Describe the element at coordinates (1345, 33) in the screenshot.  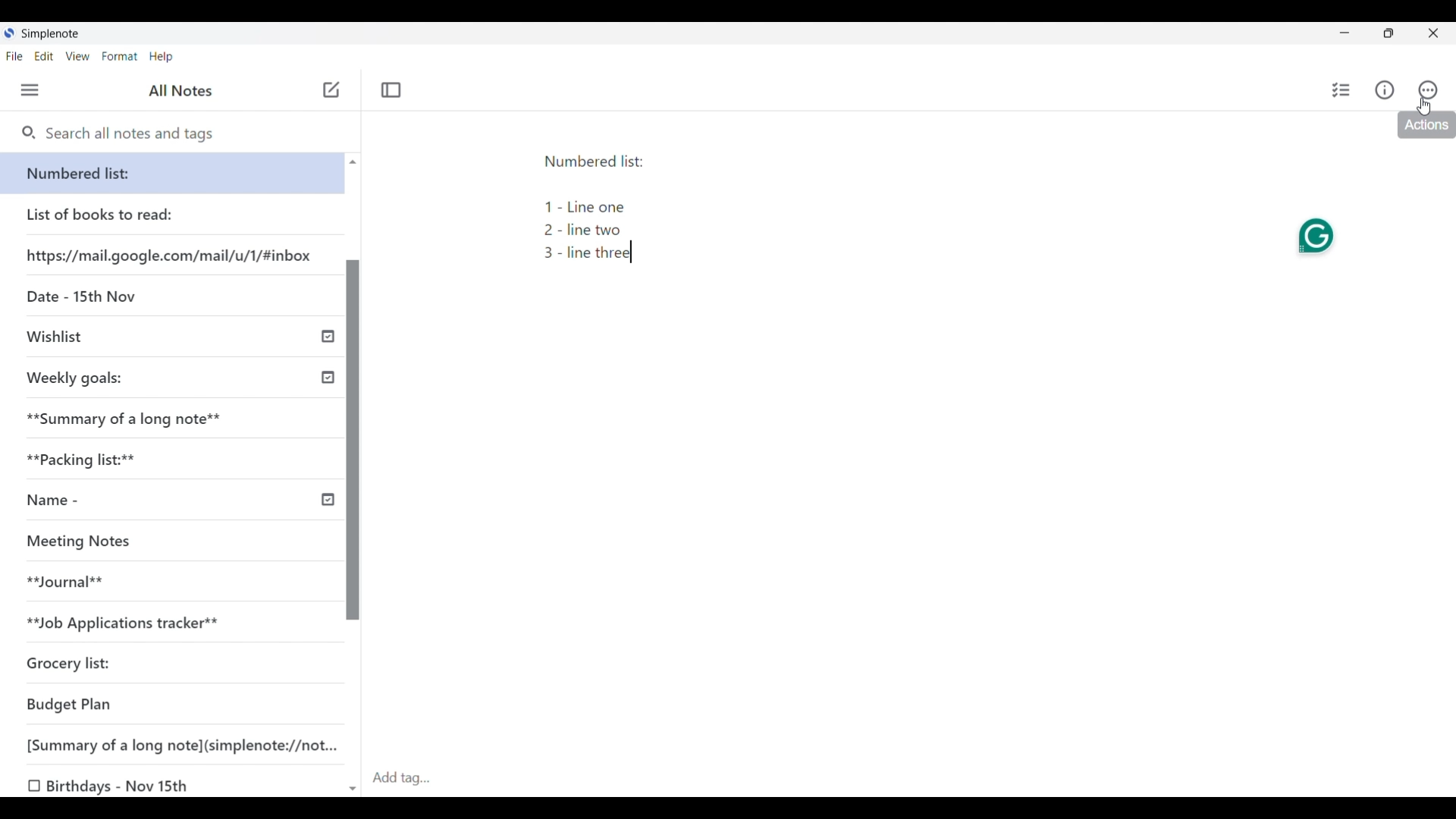
I see `Minimize` at that location.